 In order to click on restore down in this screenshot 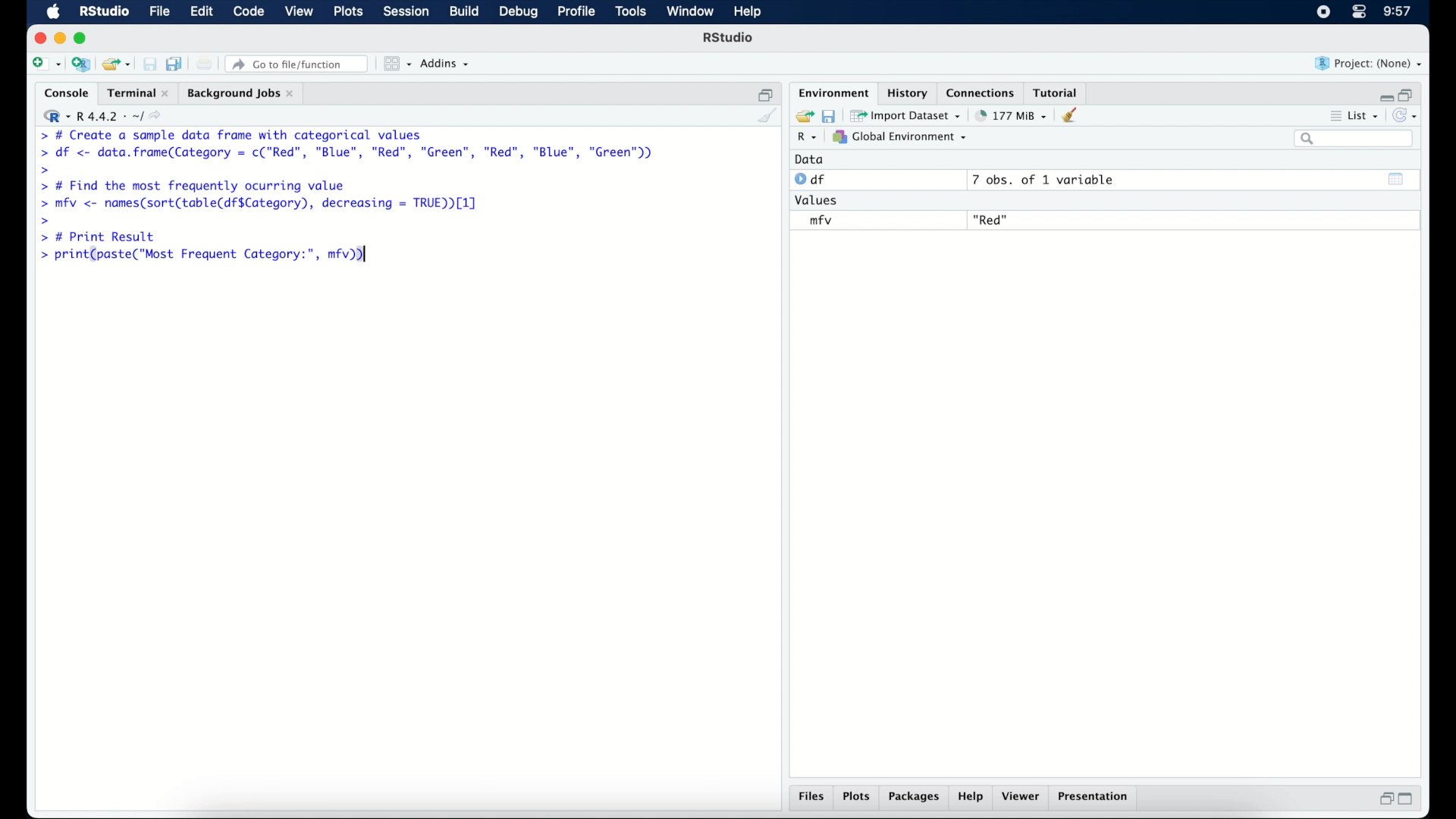, I will do `click(1410, 93)`.